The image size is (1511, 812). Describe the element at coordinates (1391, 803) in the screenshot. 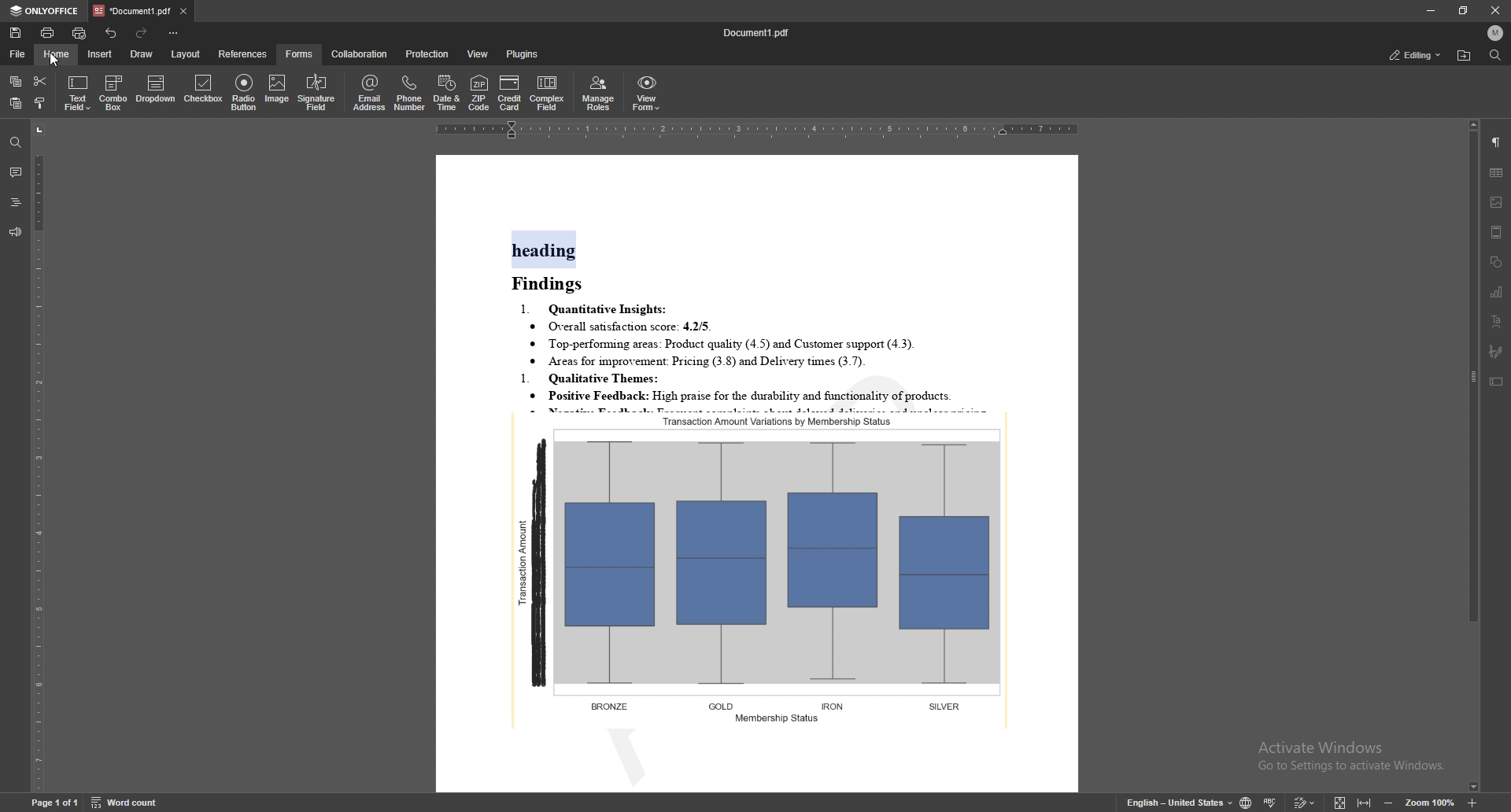

I see `zoom out` at that location.